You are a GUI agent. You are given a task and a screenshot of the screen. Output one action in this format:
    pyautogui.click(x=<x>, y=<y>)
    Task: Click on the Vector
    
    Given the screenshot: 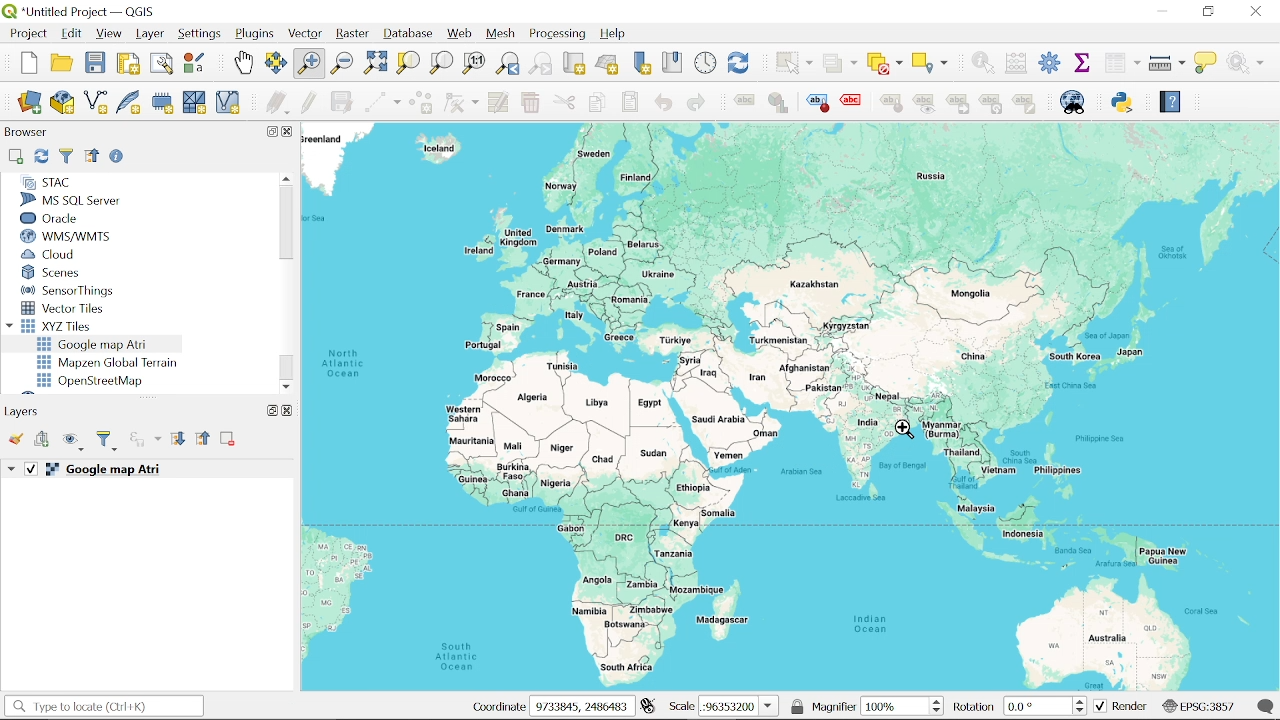 What is the action you would take?
    pyautogui.click(x=306, y=35)
    